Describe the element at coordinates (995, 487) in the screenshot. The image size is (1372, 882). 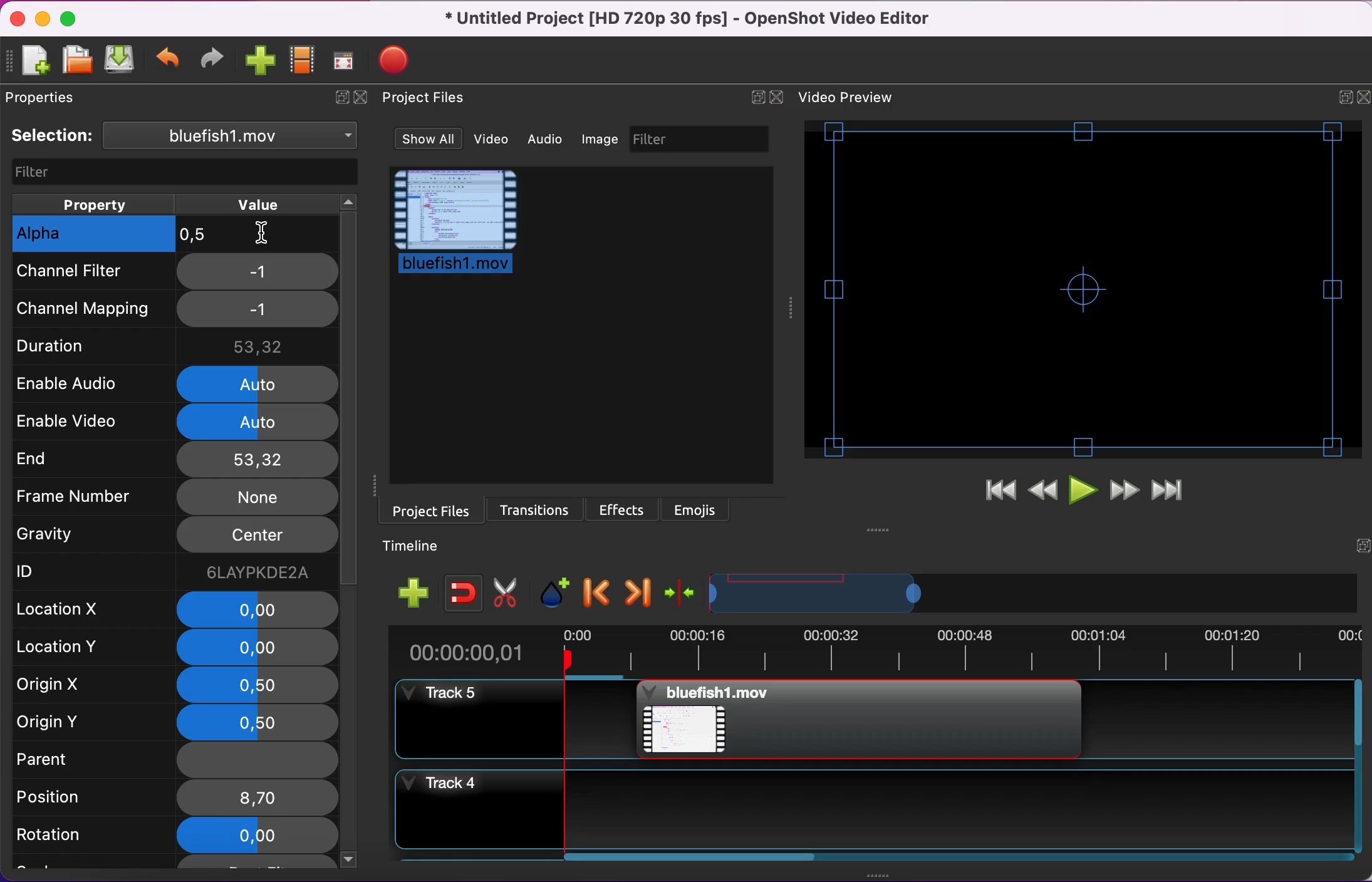
I see `jump to start` at that location.